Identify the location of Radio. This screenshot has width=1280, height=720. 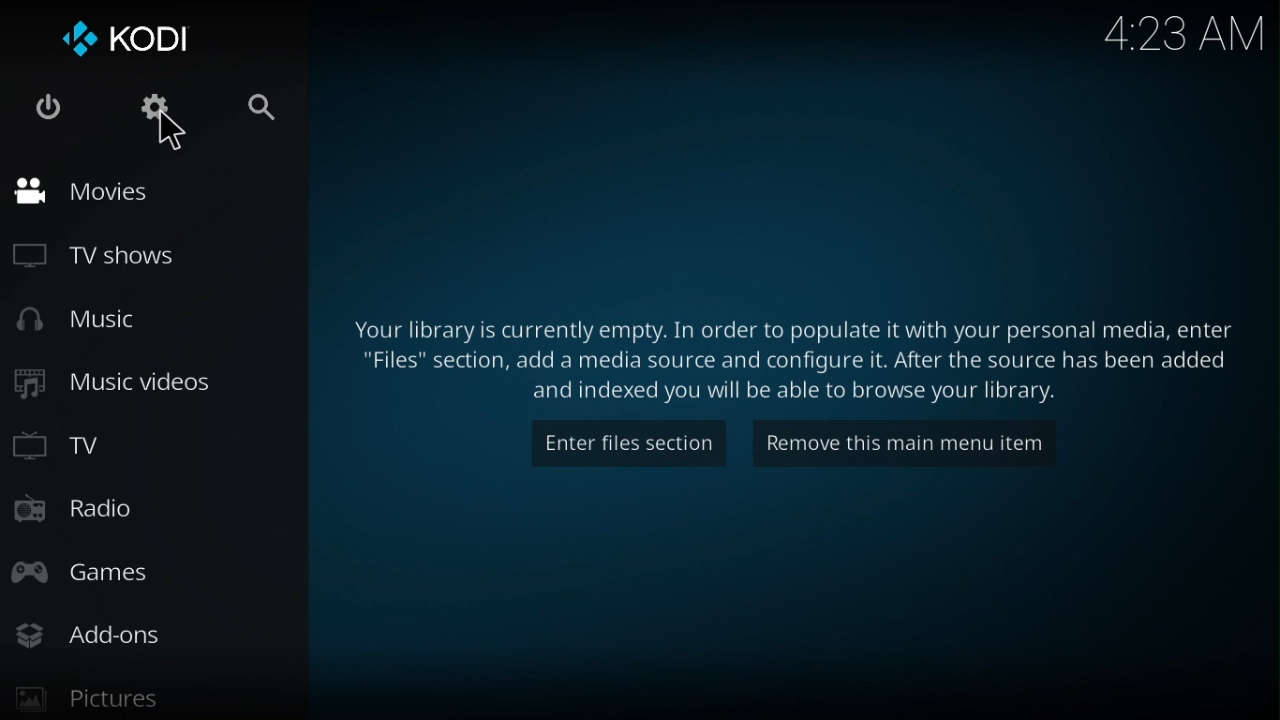
(93, 511).